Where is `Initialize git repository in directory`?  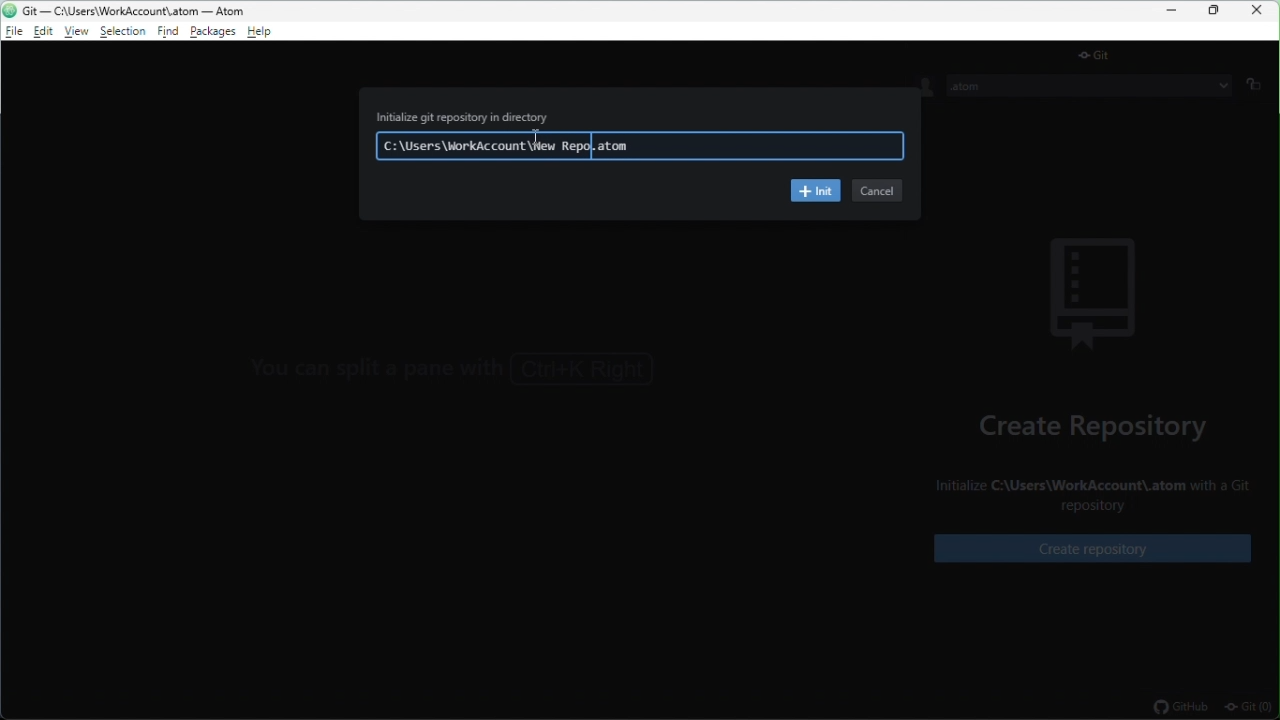 Initialize git repository in directory is located at coordinates (463, 113).